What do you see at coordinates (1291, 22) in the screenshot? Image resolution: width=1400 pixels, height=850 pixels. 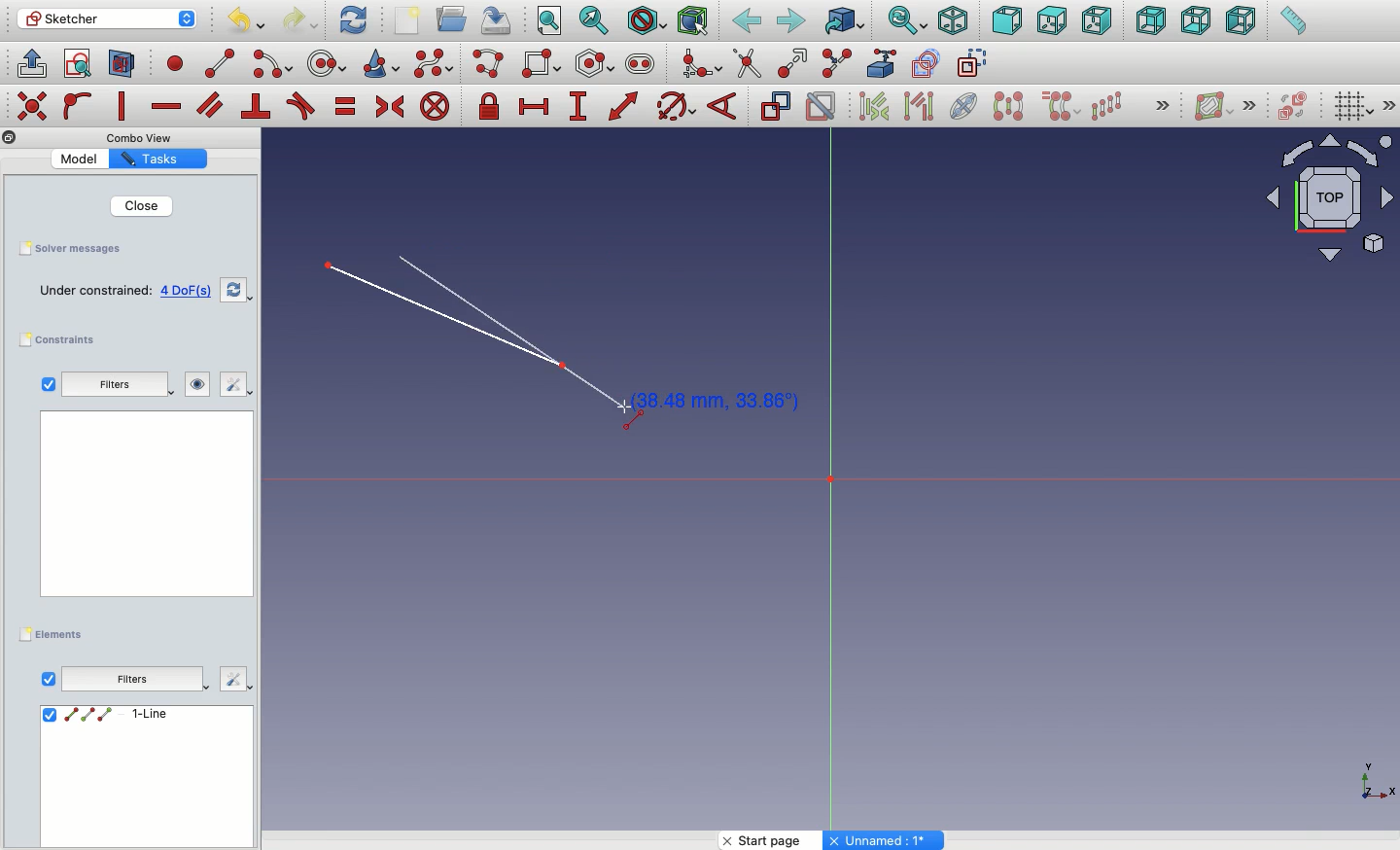 I see `Measure` at bounding box center [1291, 22].